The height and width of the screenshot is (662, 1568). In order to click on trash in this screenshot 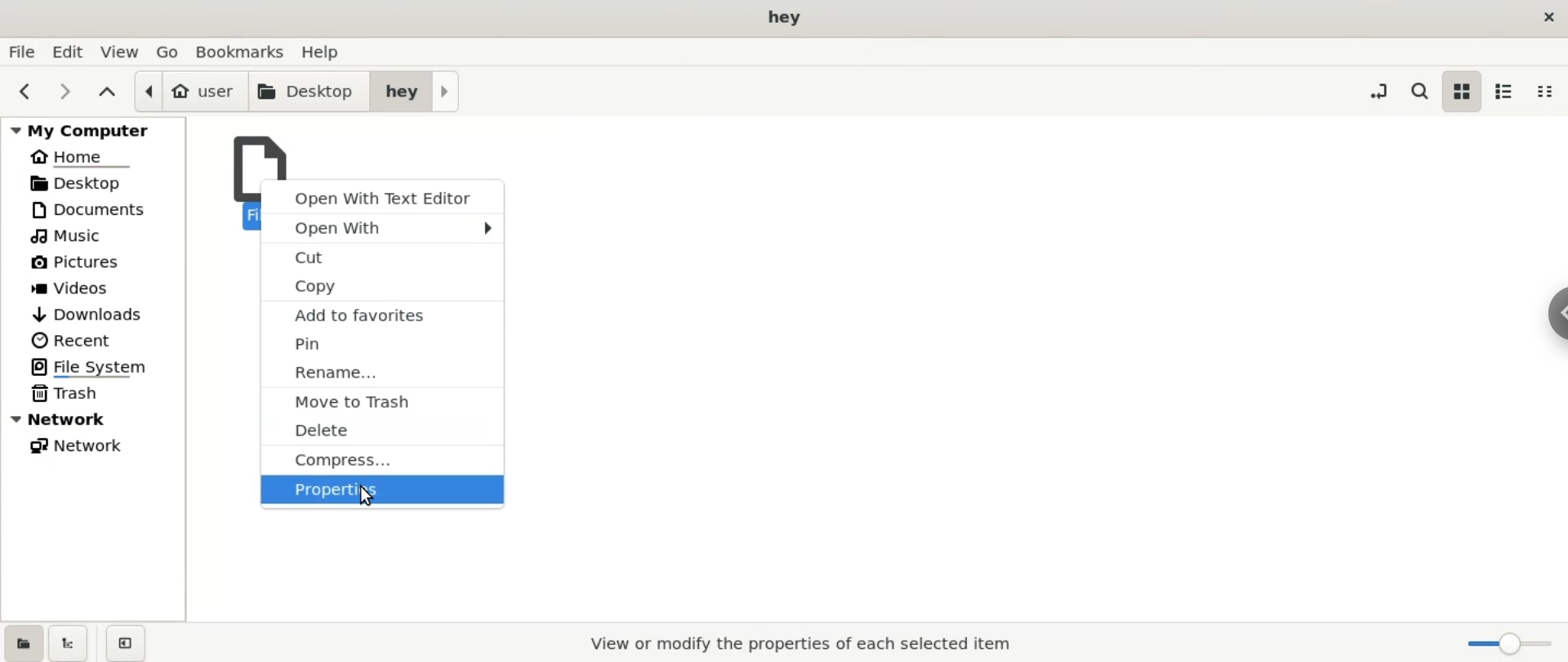, I will do `click(91, 395)`.